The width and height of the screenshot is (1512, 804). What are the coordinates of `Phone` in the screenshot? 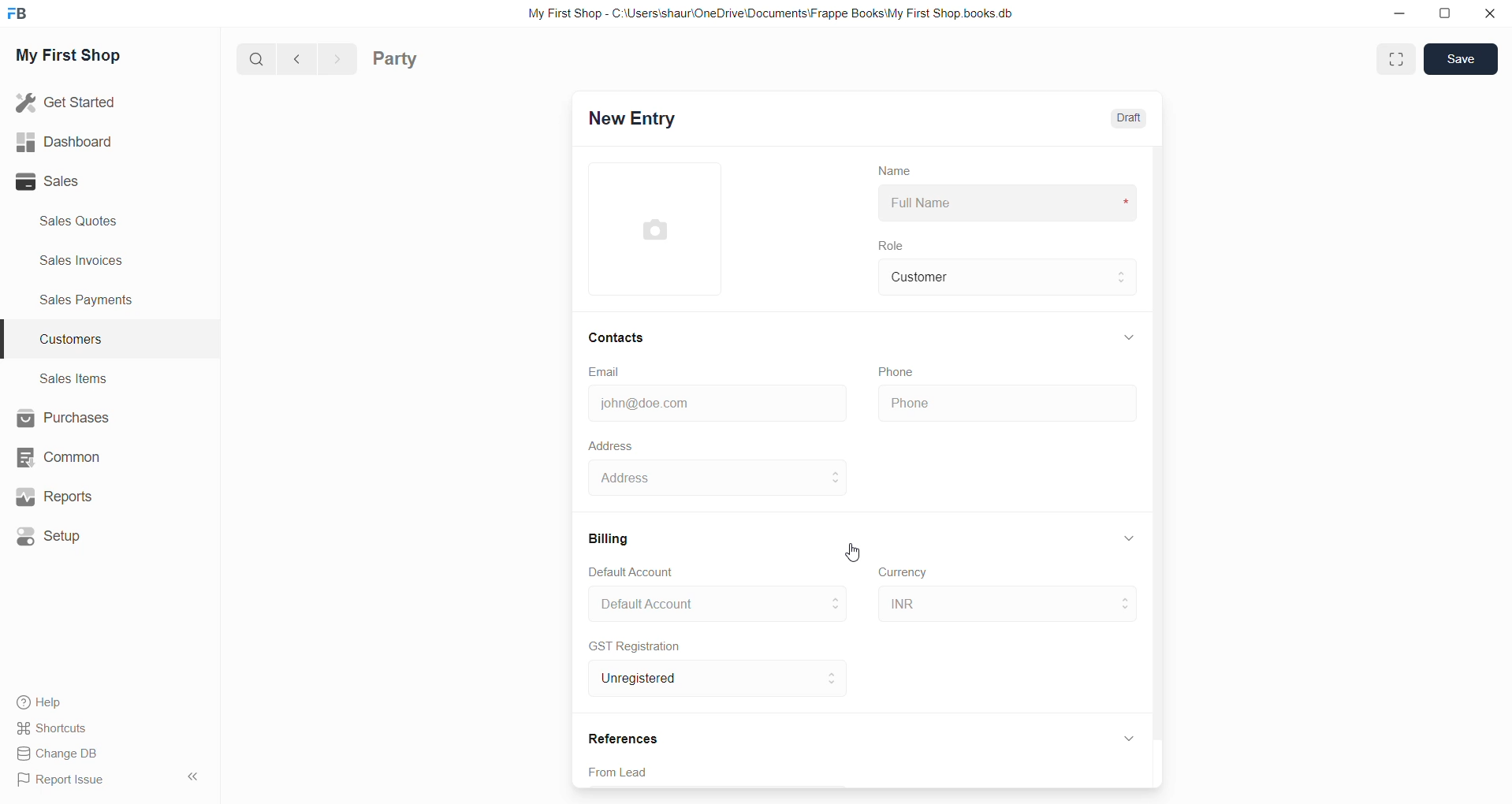 It's located at (900, 370).